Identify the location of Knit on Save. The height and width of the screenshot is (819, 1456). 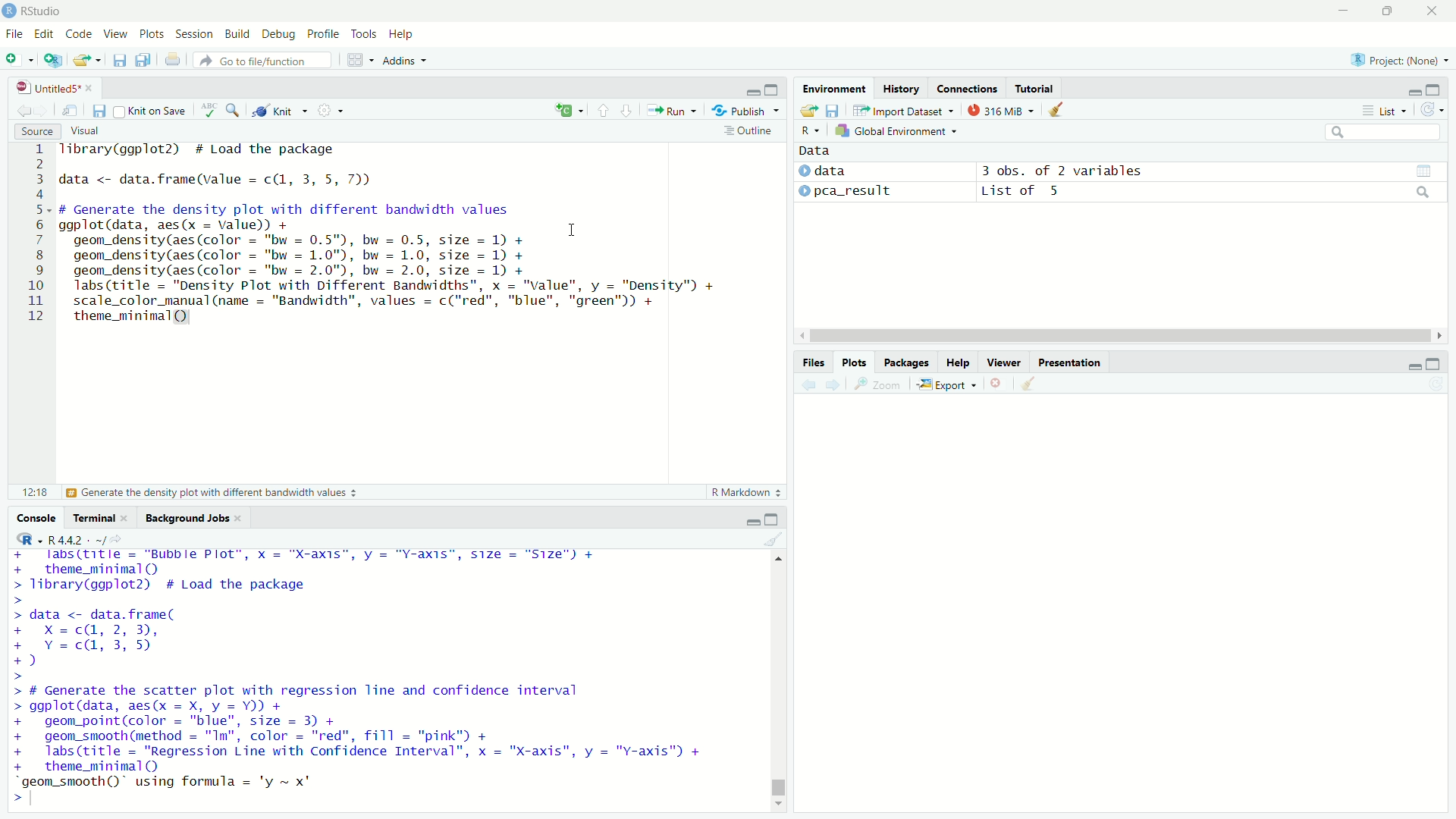
(152, 111).